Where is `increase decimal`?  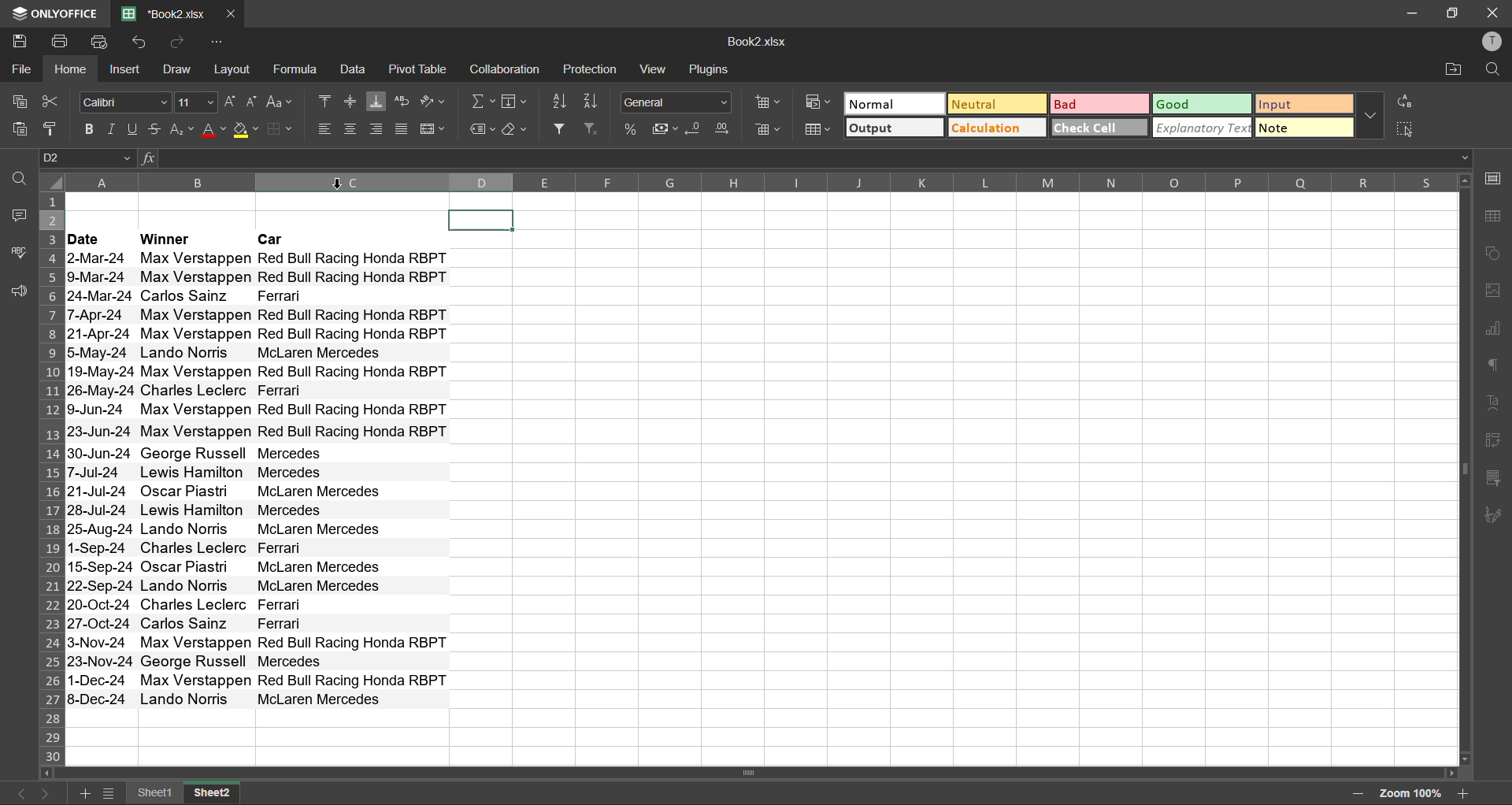 increase decimal is located at coordinates (727, 129).